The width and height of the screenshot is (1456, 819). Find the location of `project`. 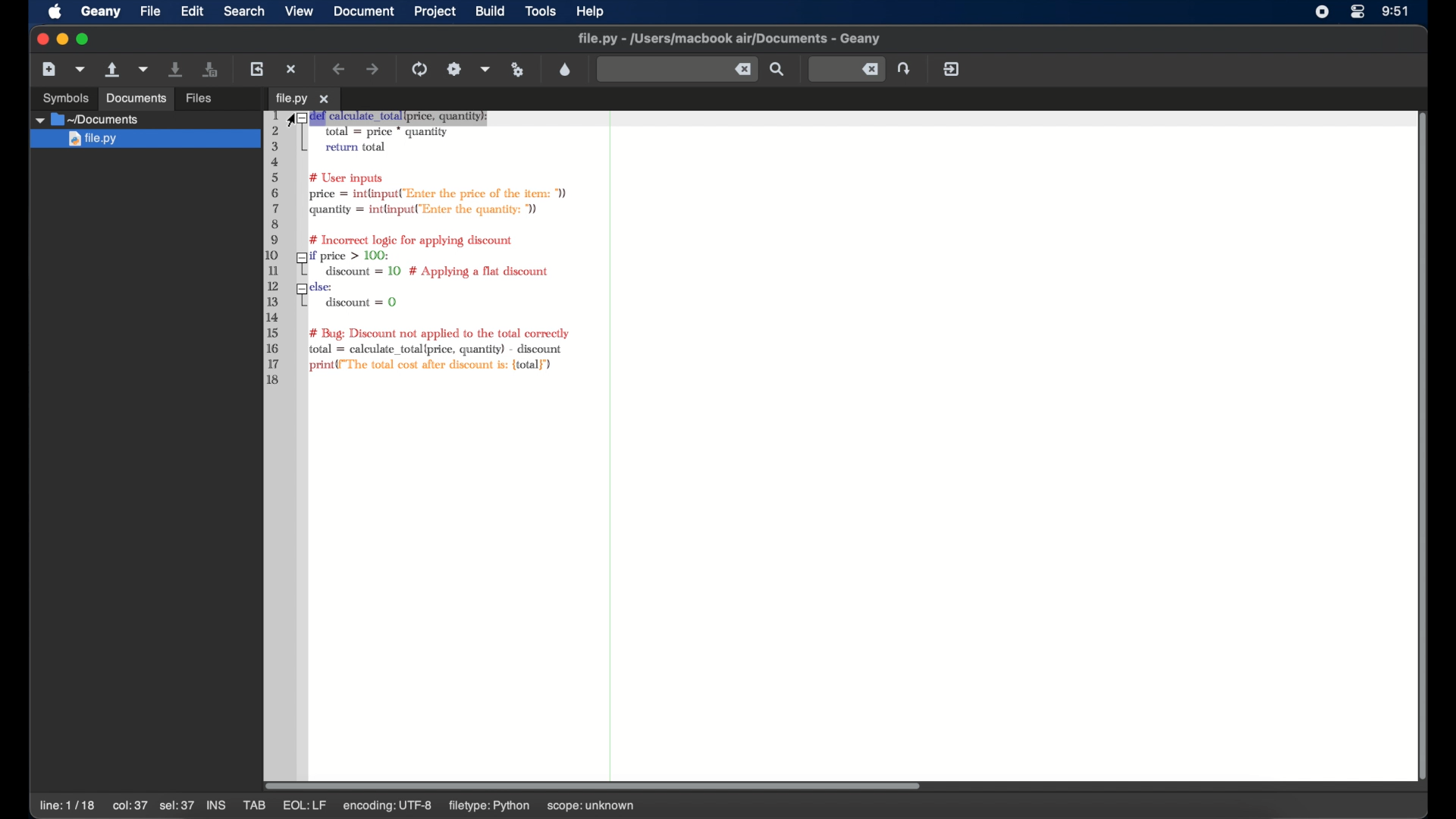

project is located at coordinates (435, 12).